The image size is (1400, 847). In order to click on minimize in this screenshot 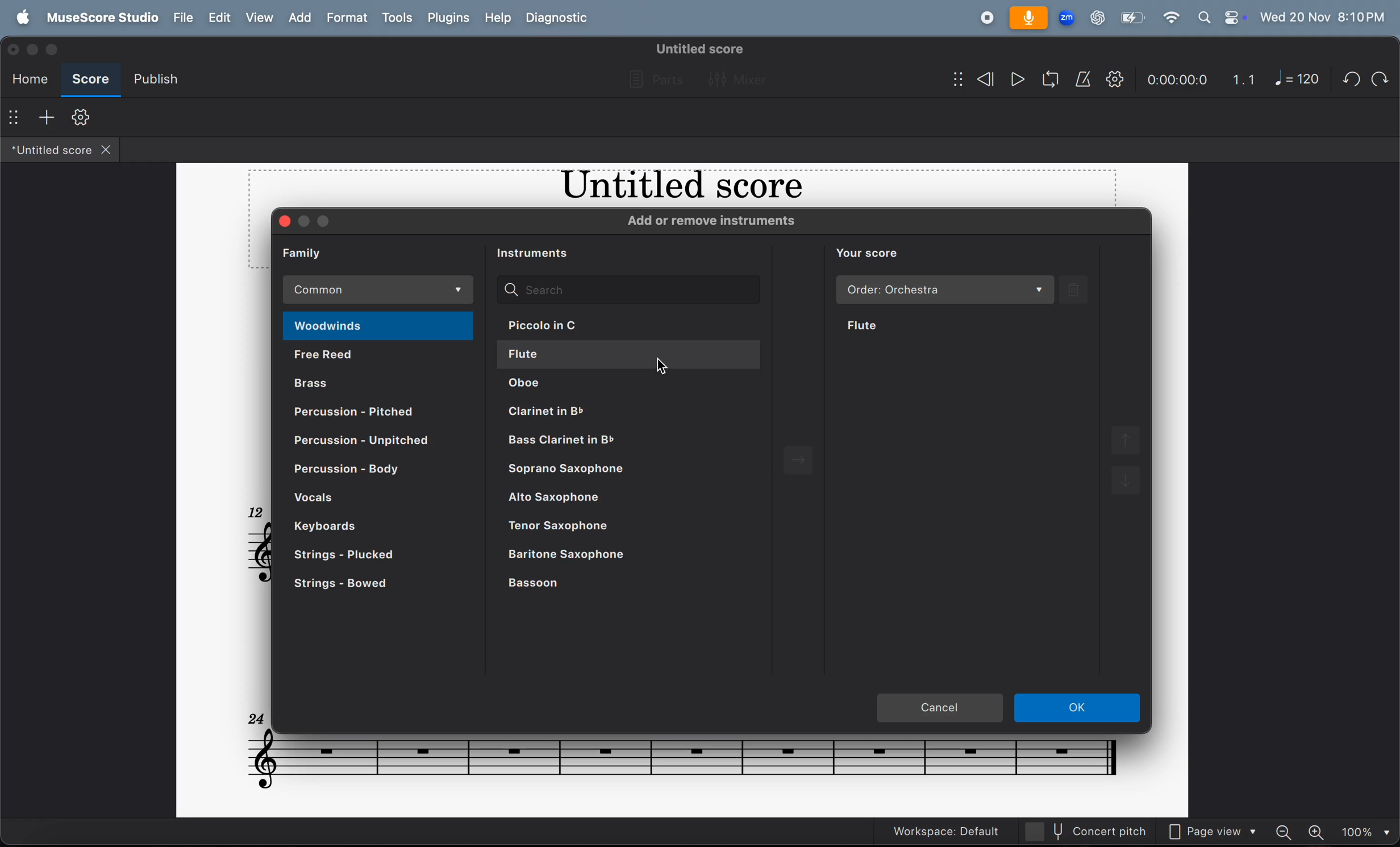, I will do `click(36, 50)`.